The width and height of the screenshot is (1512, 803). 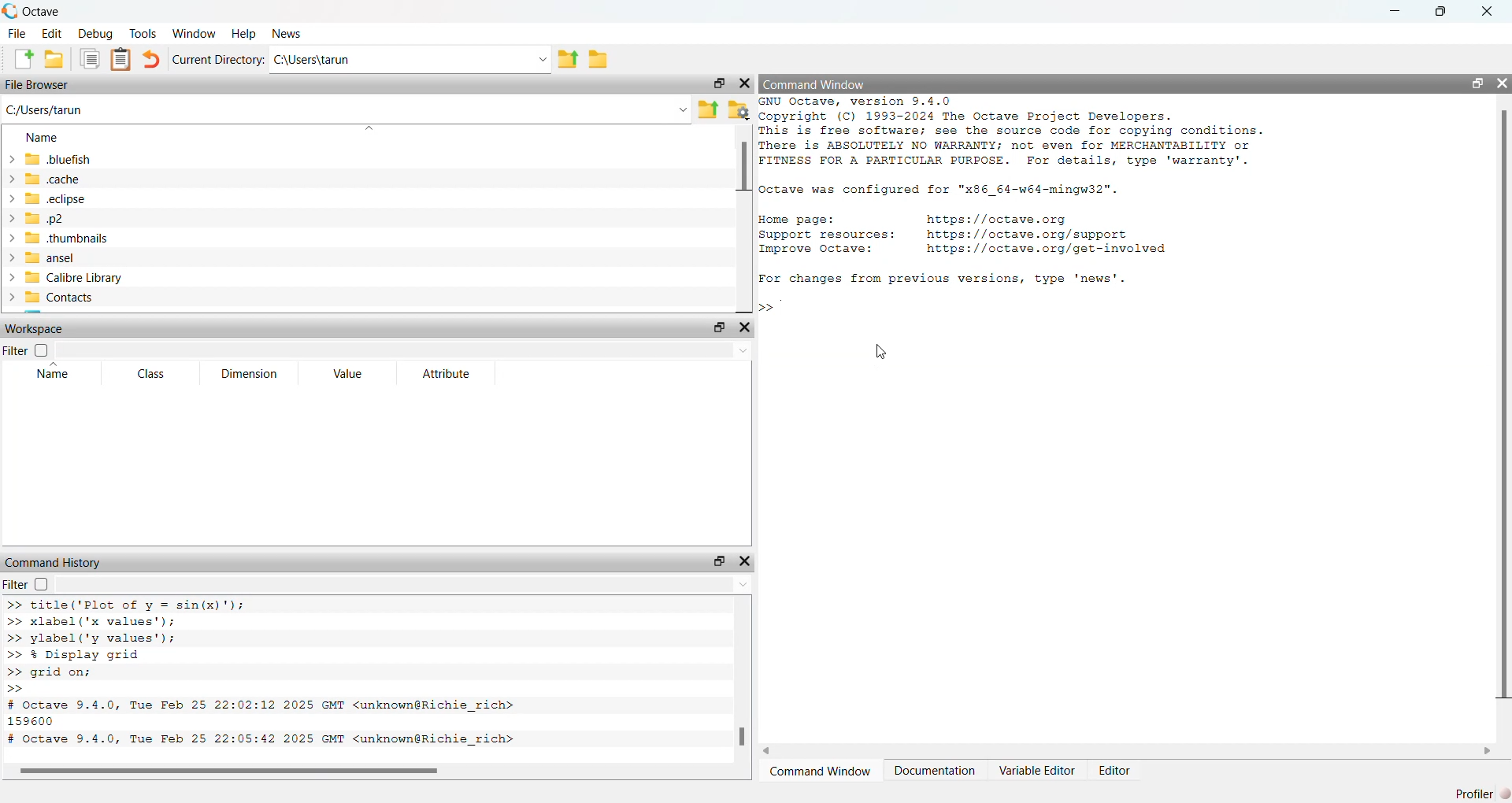 What do you see at coordinates (35, 85) in the screenshot?
I see `File Browser` at bounding box center [35, 85].